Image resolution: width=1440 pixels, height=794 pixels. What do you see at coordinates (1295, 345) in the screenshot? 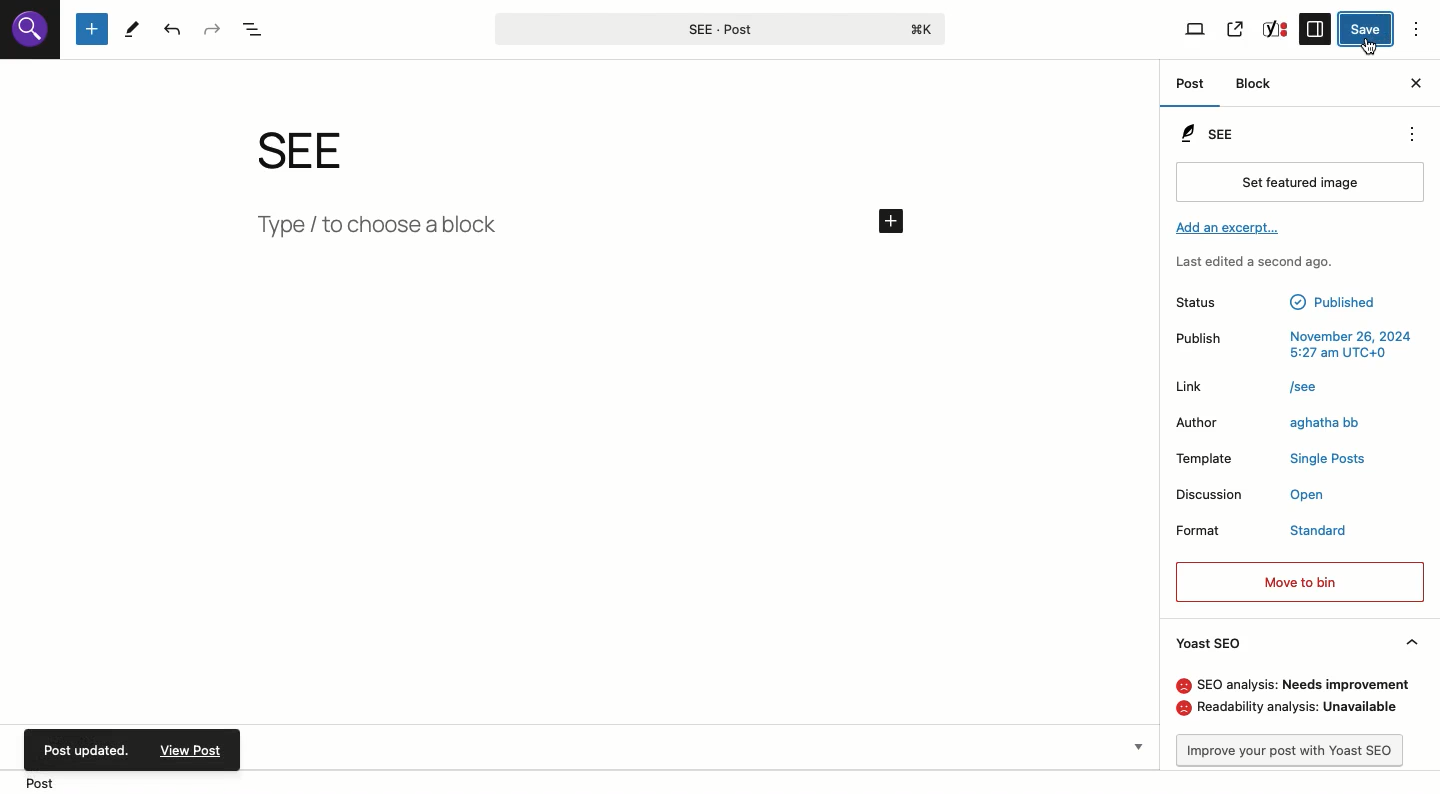
I see `Publish november 26, 2025 5:27am UTC+0` at bounding box center [1295, 345].